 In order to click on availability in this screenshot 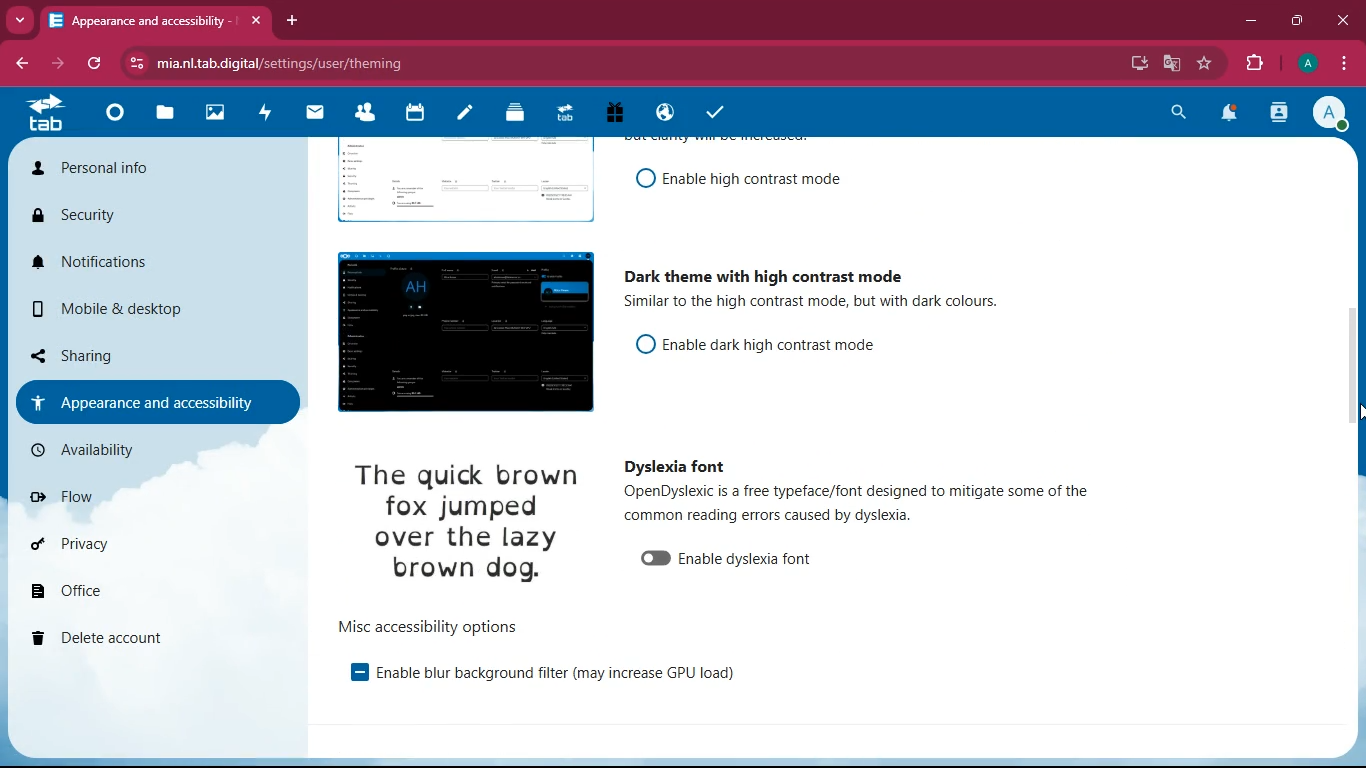, I will do `click(127, 450)`.